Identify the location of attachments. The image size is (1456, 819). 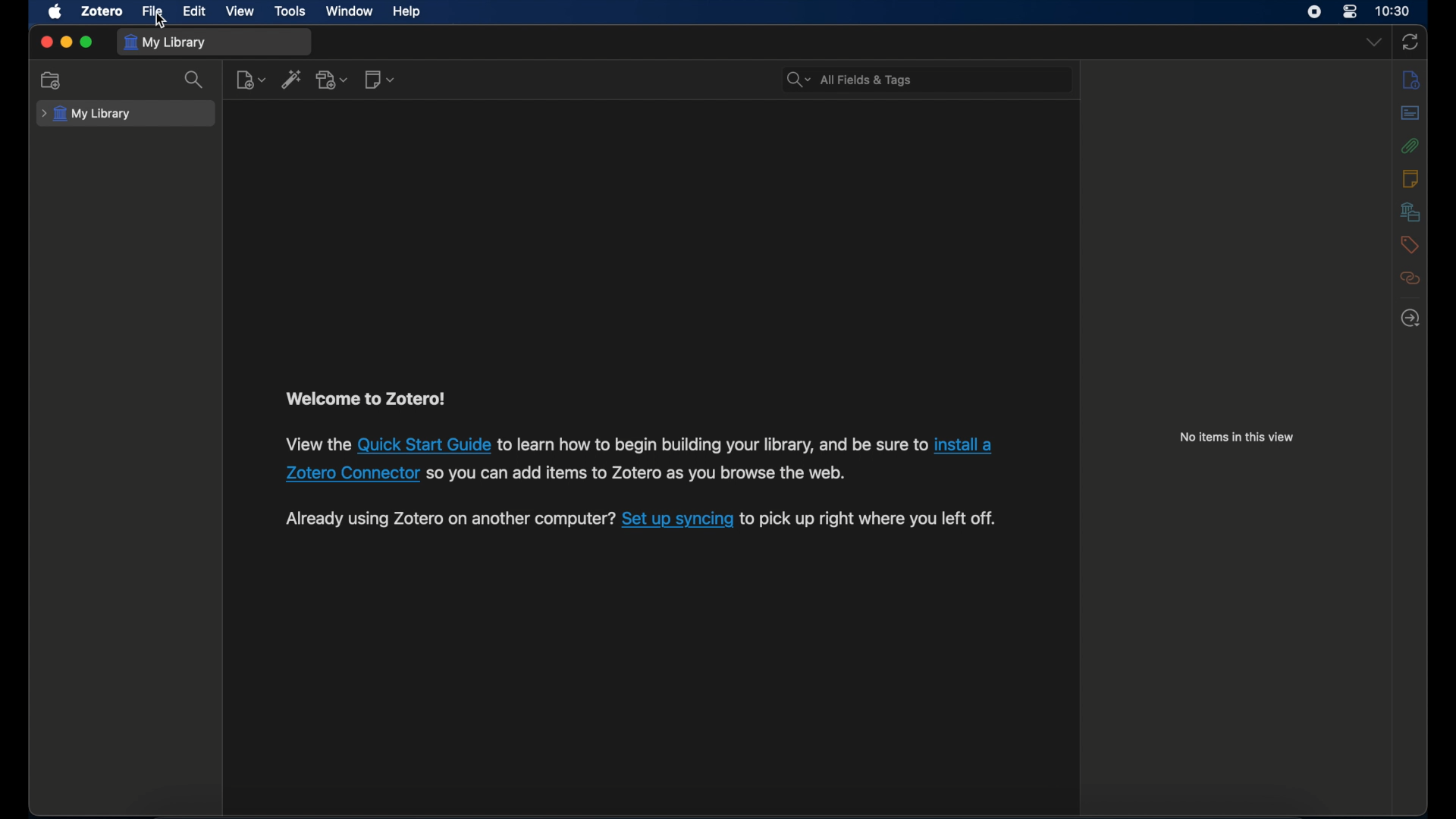
(1410, 146).